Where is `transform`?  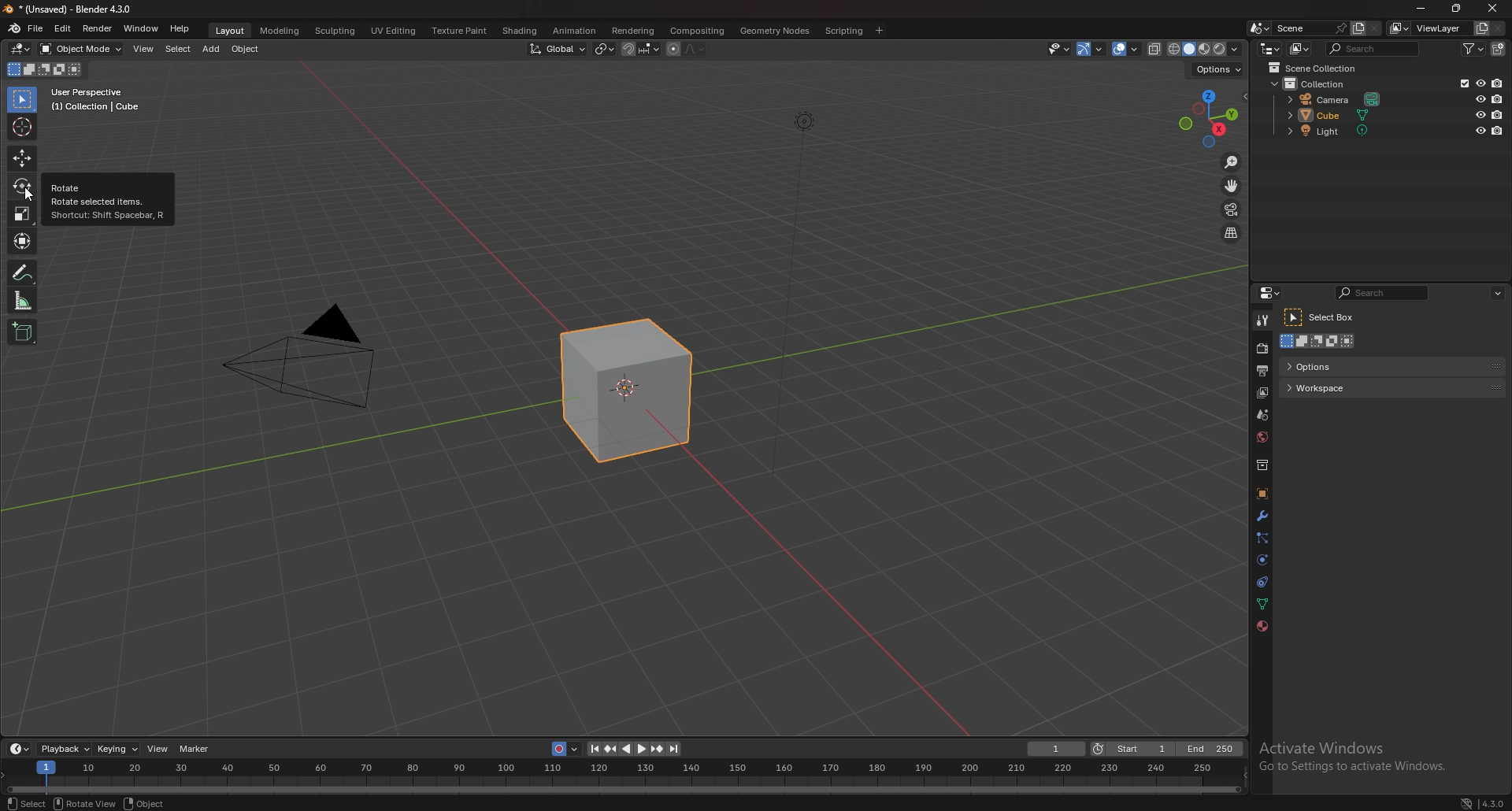
transform is located at coordinates (24, 241).